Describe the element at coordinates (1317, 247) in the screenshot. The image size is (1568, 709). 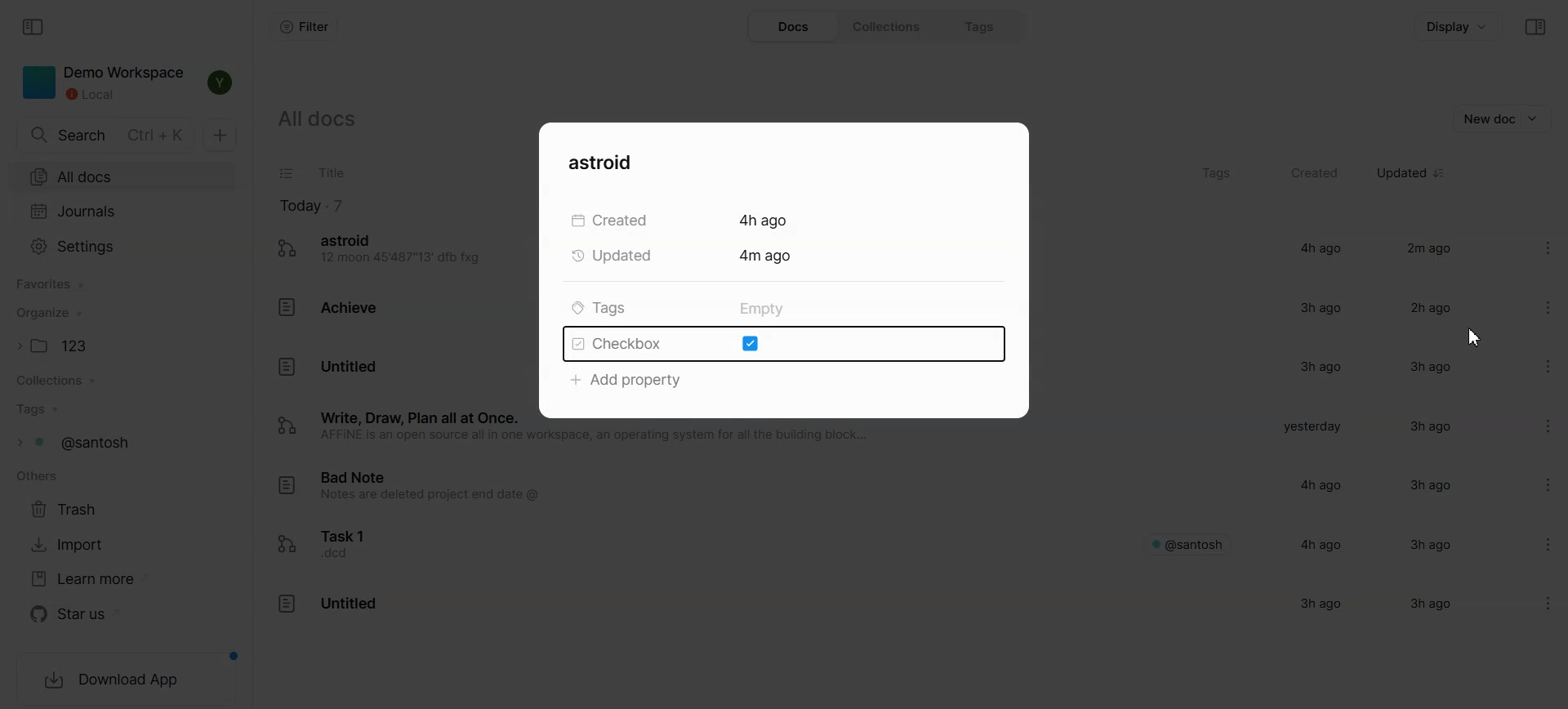
I see `4h ago` at that location.